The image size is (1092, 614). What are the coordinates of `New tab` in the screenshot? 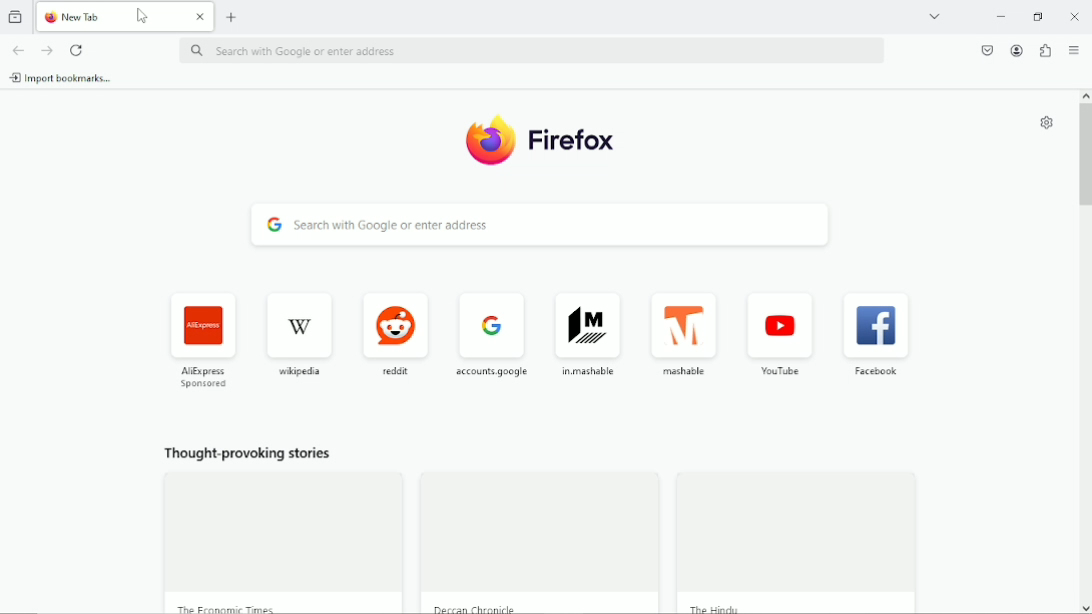 It's located at (232, 16).